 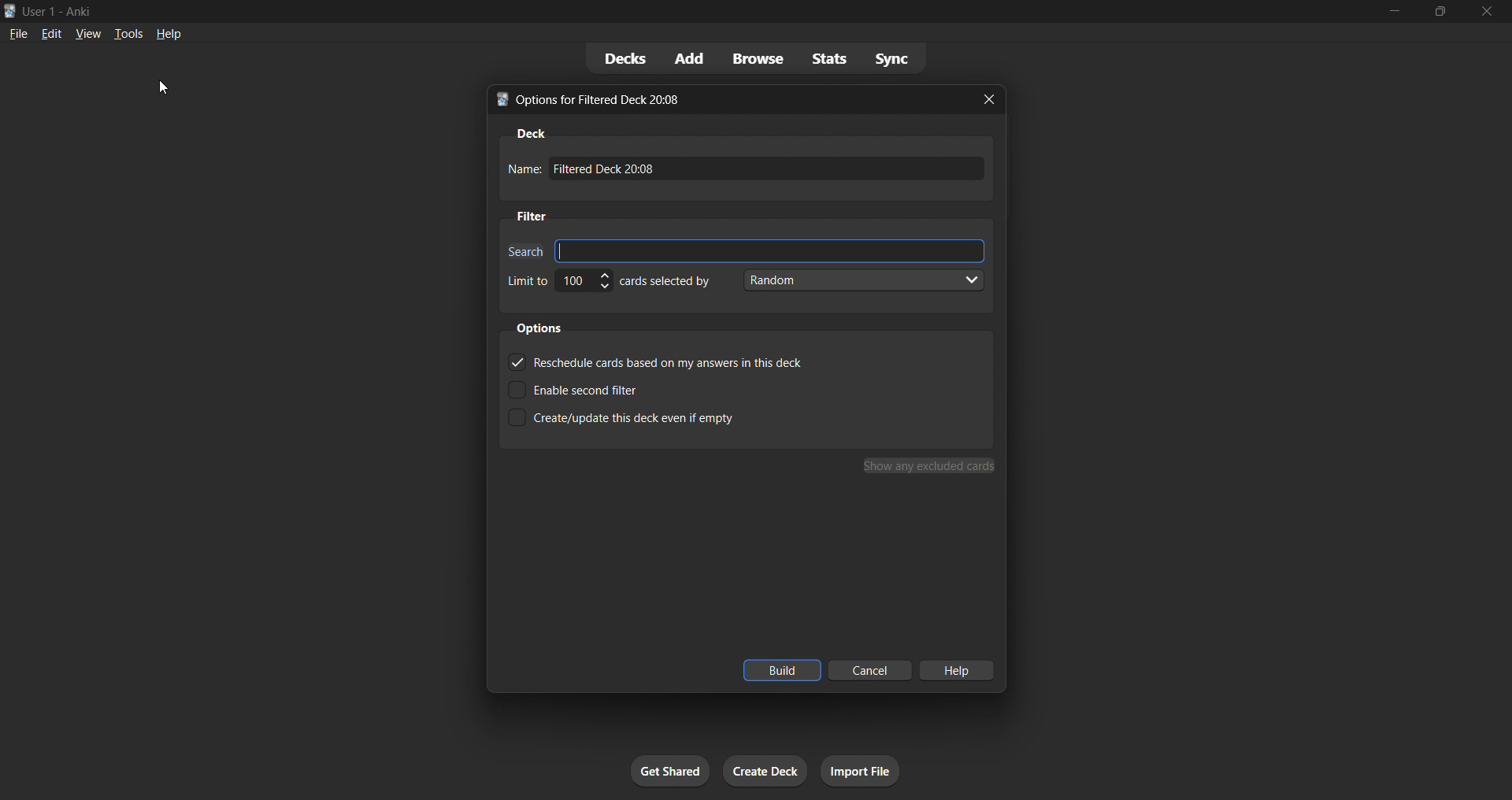 What do you see at coordinates (931, 465) in the screenshot?
I see `Show my excluded cards button` at bounding box center [931, 465].